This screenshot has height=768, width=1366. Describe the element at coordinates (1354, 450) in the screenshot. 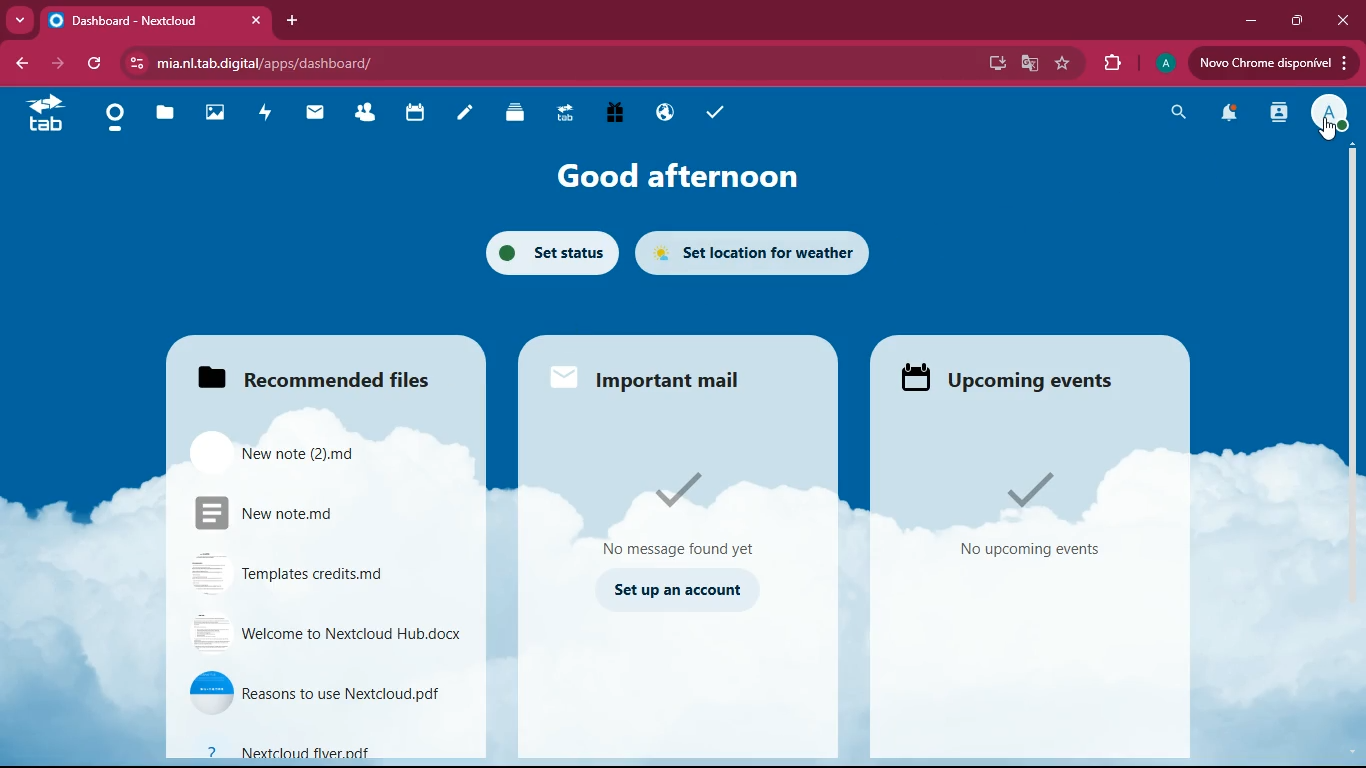

I see `scroll` at that location.